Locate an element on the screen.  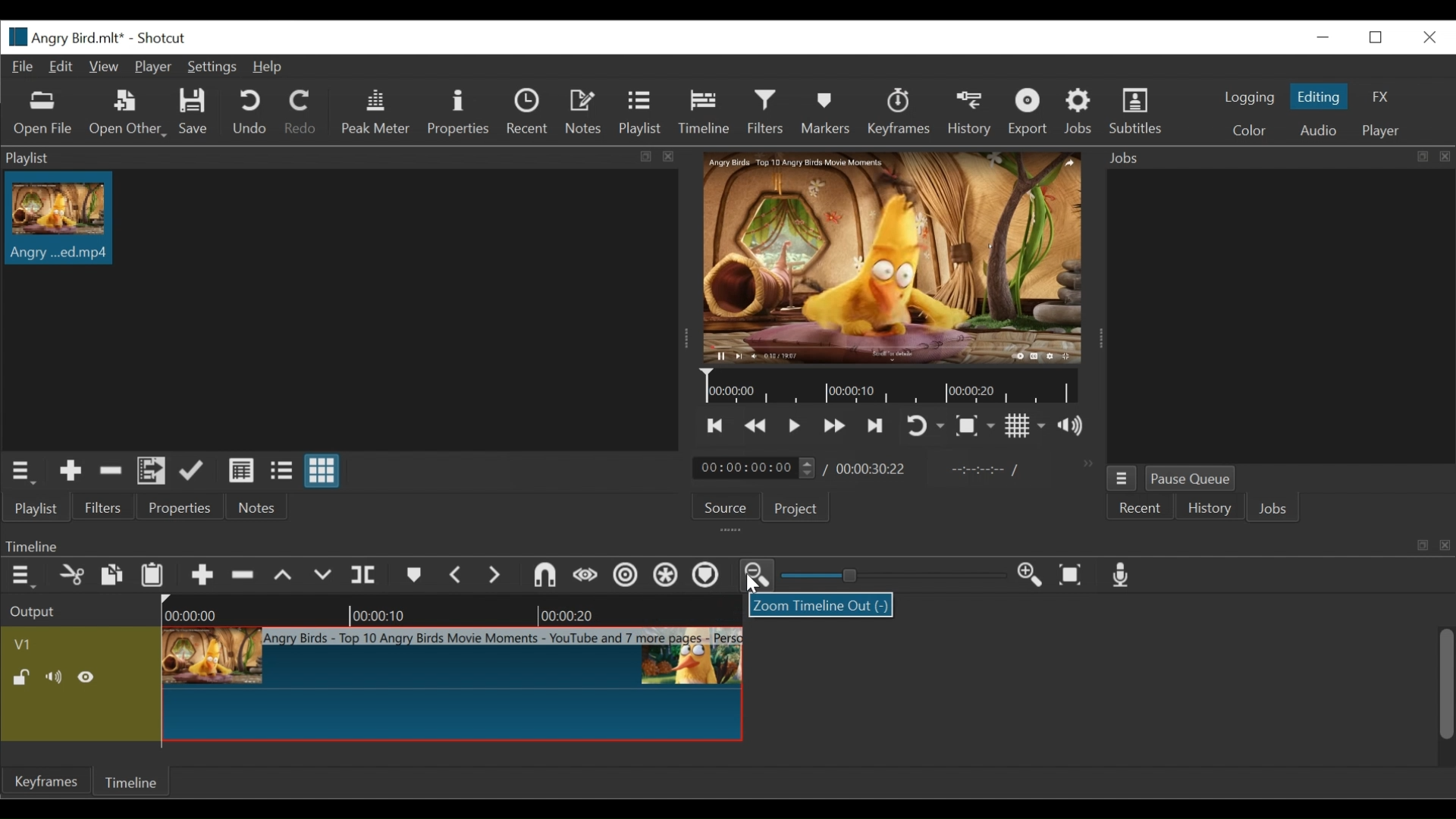
View as icons is located at coordinates (322, 472).